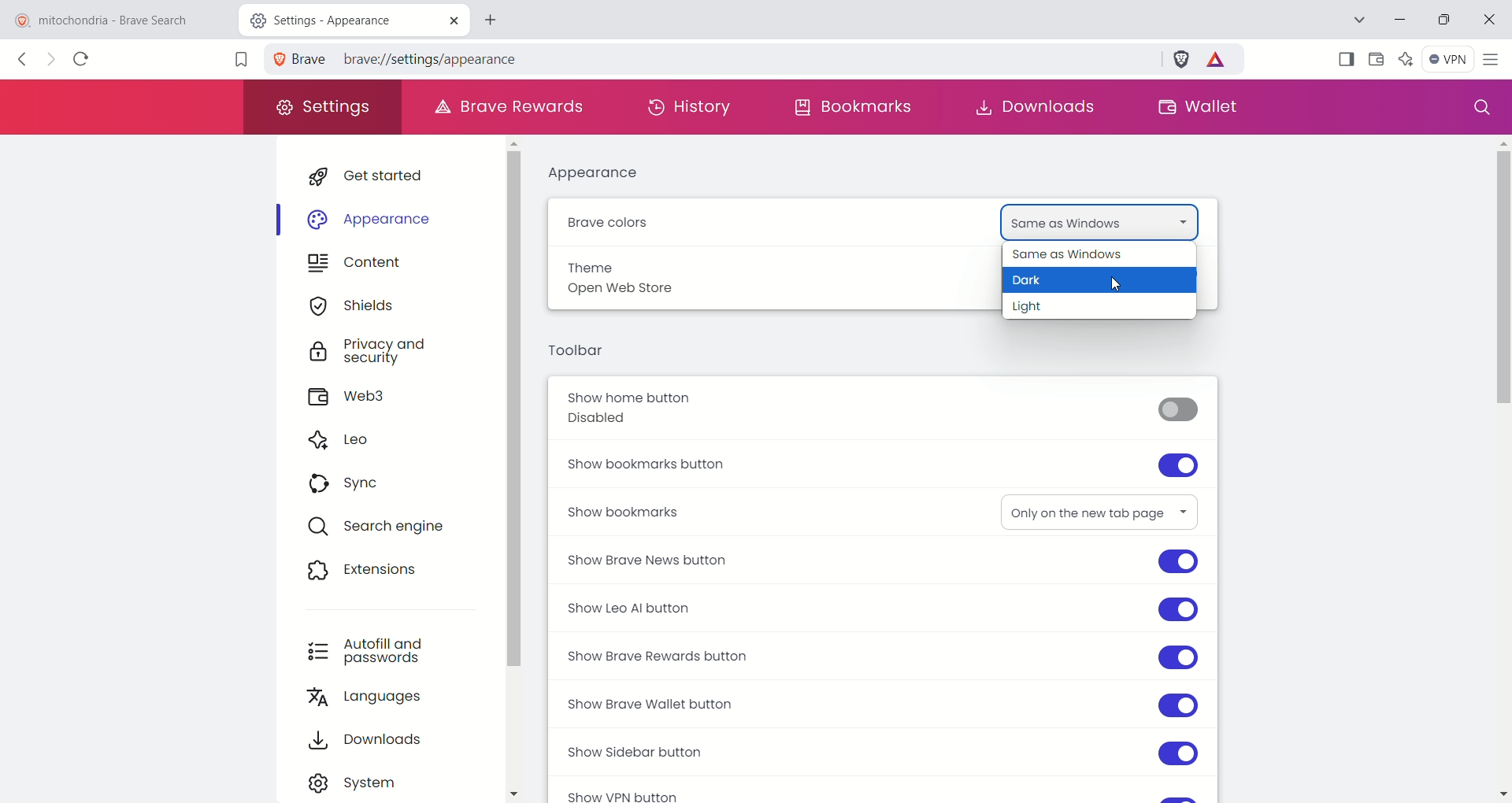 Image resolution: width=1512 pixels, height=803 pixels. What do you see at coordinates (298, 58) in the screenshot?
I see `Brave` at bounding box center [298, 58].